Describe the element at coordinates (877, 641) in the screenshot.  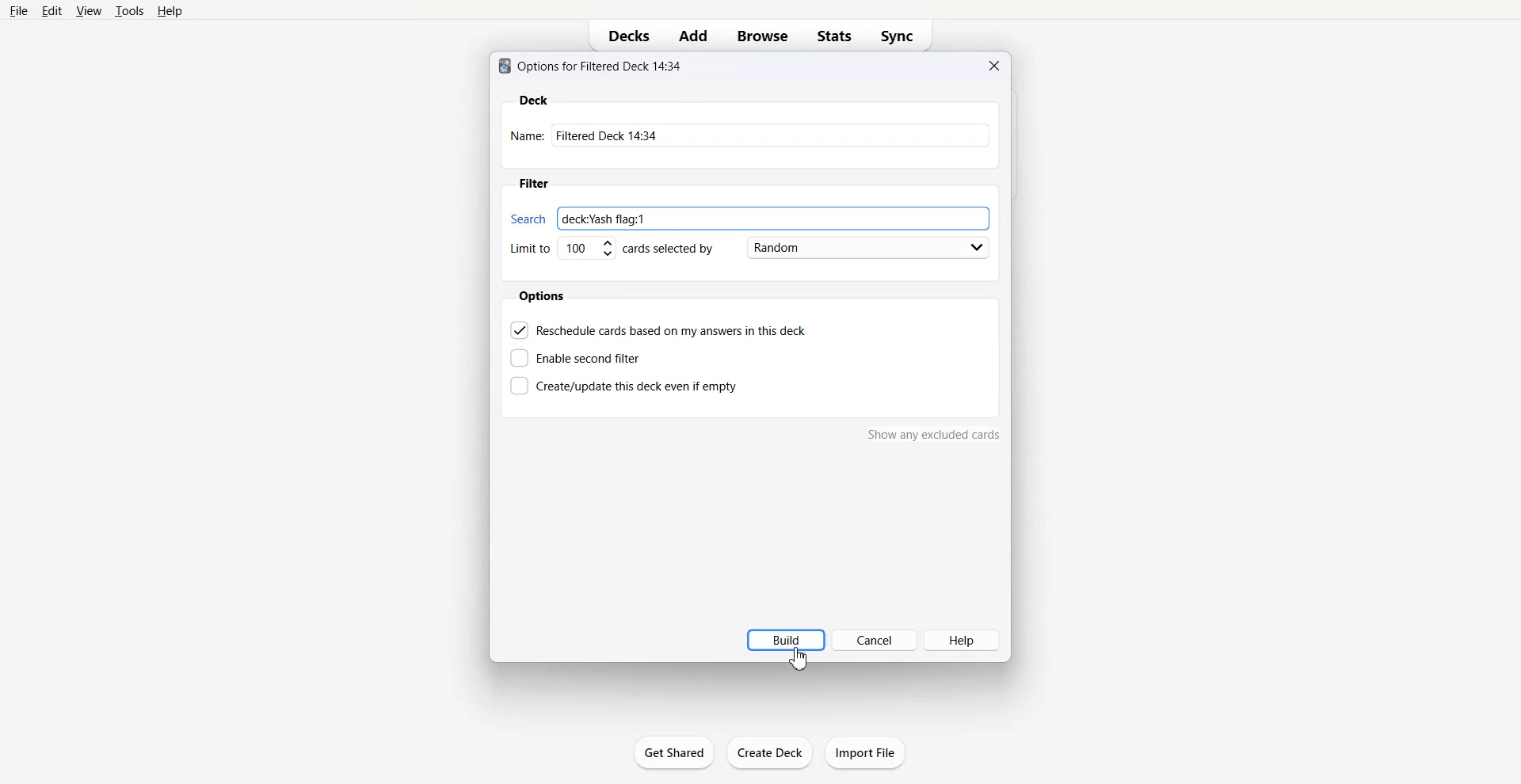
I see `Cancel` at that location.